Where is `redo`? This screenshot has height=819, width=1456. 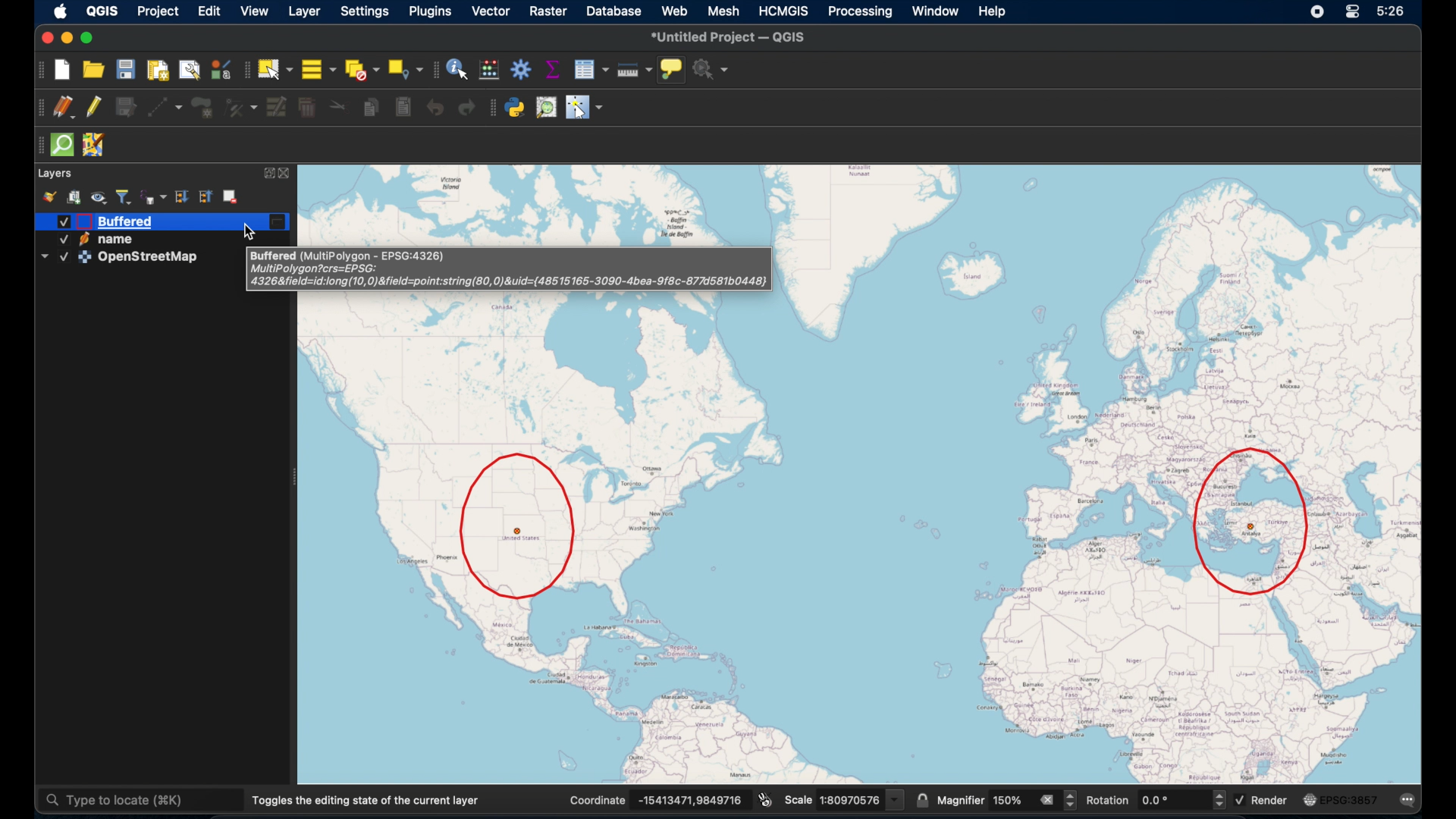 redo is located at coordinates (466, 108).